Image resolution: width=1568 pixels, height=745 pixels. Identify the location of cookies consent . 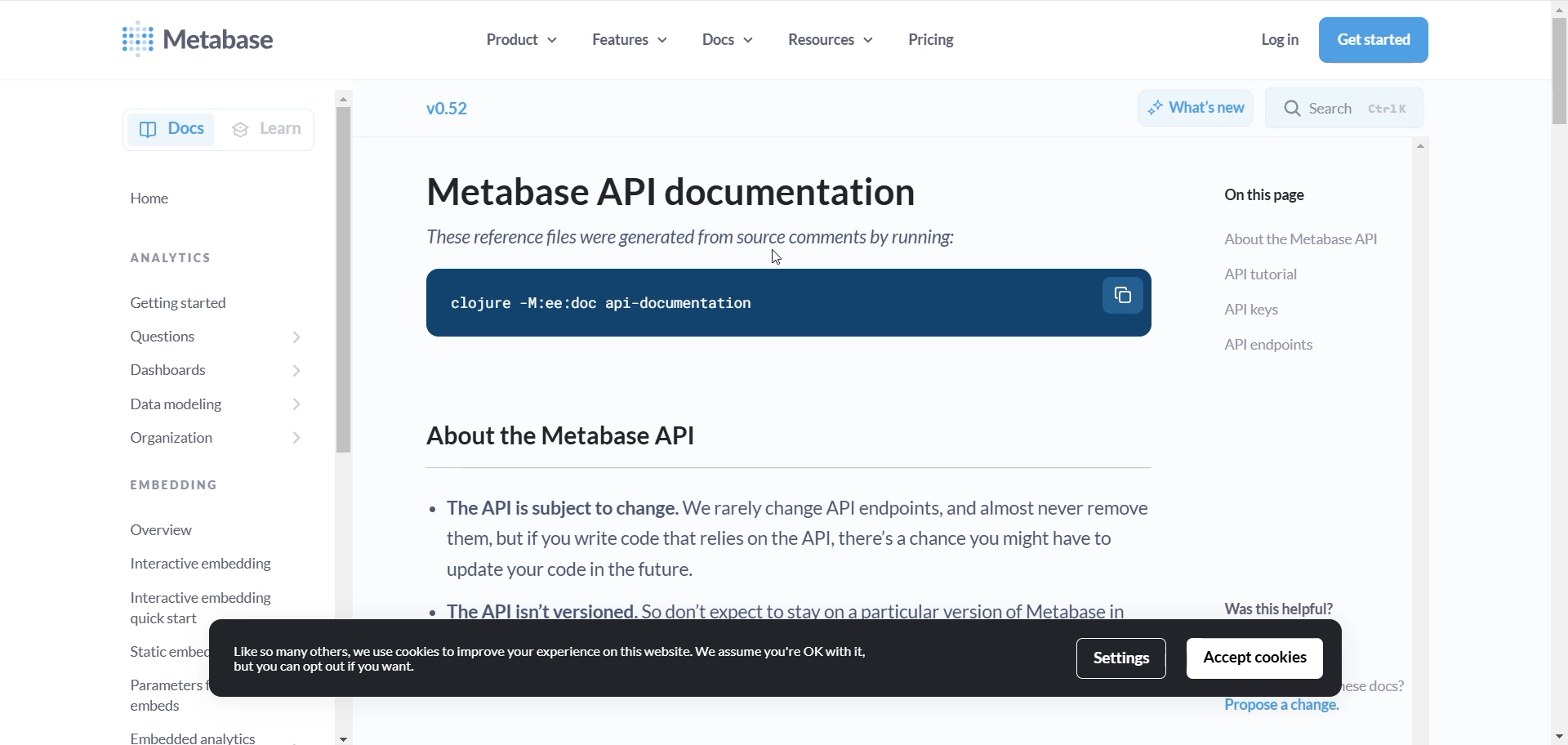
(563, 663).